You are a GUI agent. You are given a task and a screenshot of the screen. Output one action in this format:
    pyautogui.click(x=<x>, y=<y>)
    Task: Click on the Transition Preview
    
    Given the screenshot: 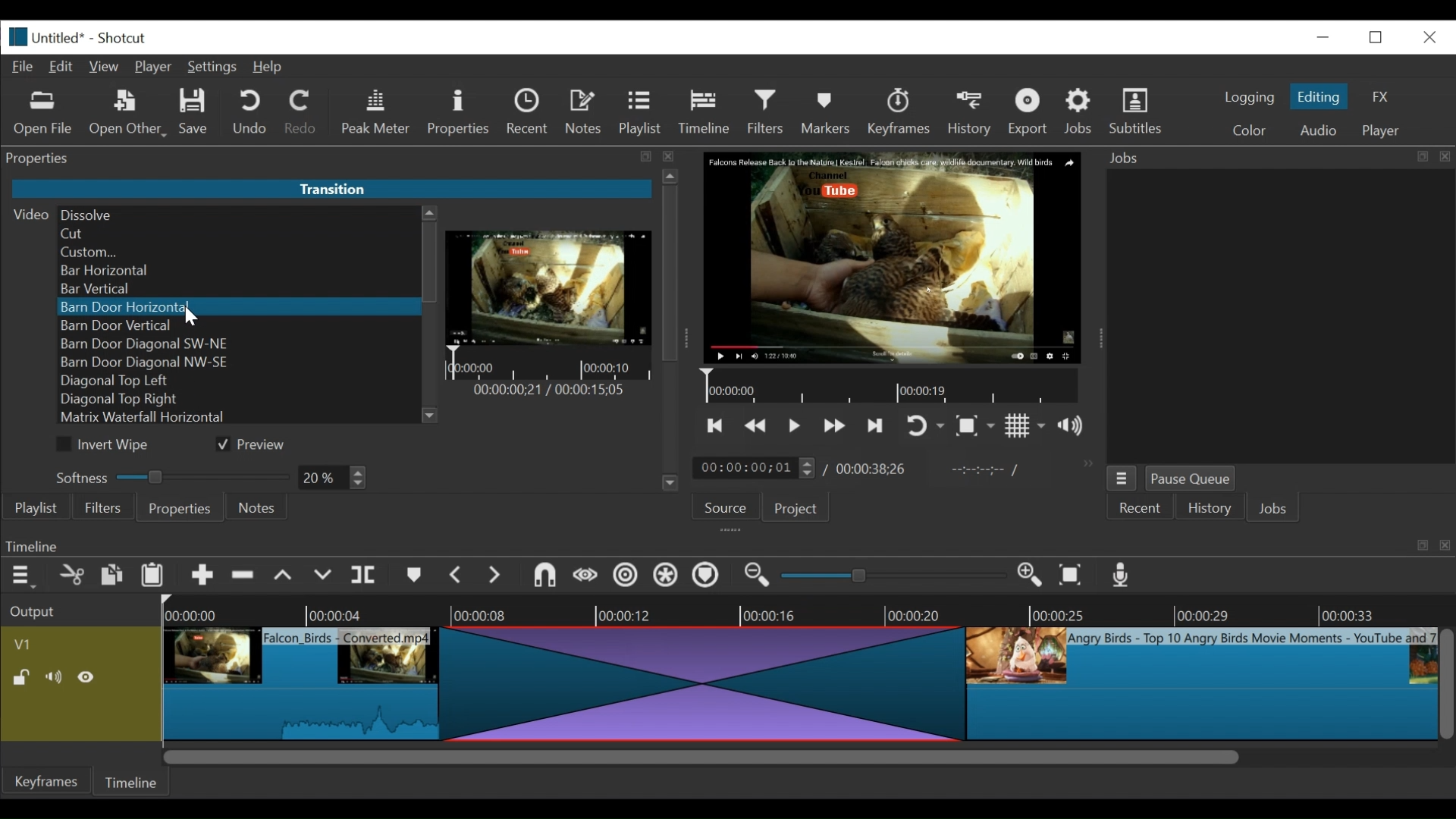 What is the action you would take?
    pyautogui.click(x=544, y=286)
    